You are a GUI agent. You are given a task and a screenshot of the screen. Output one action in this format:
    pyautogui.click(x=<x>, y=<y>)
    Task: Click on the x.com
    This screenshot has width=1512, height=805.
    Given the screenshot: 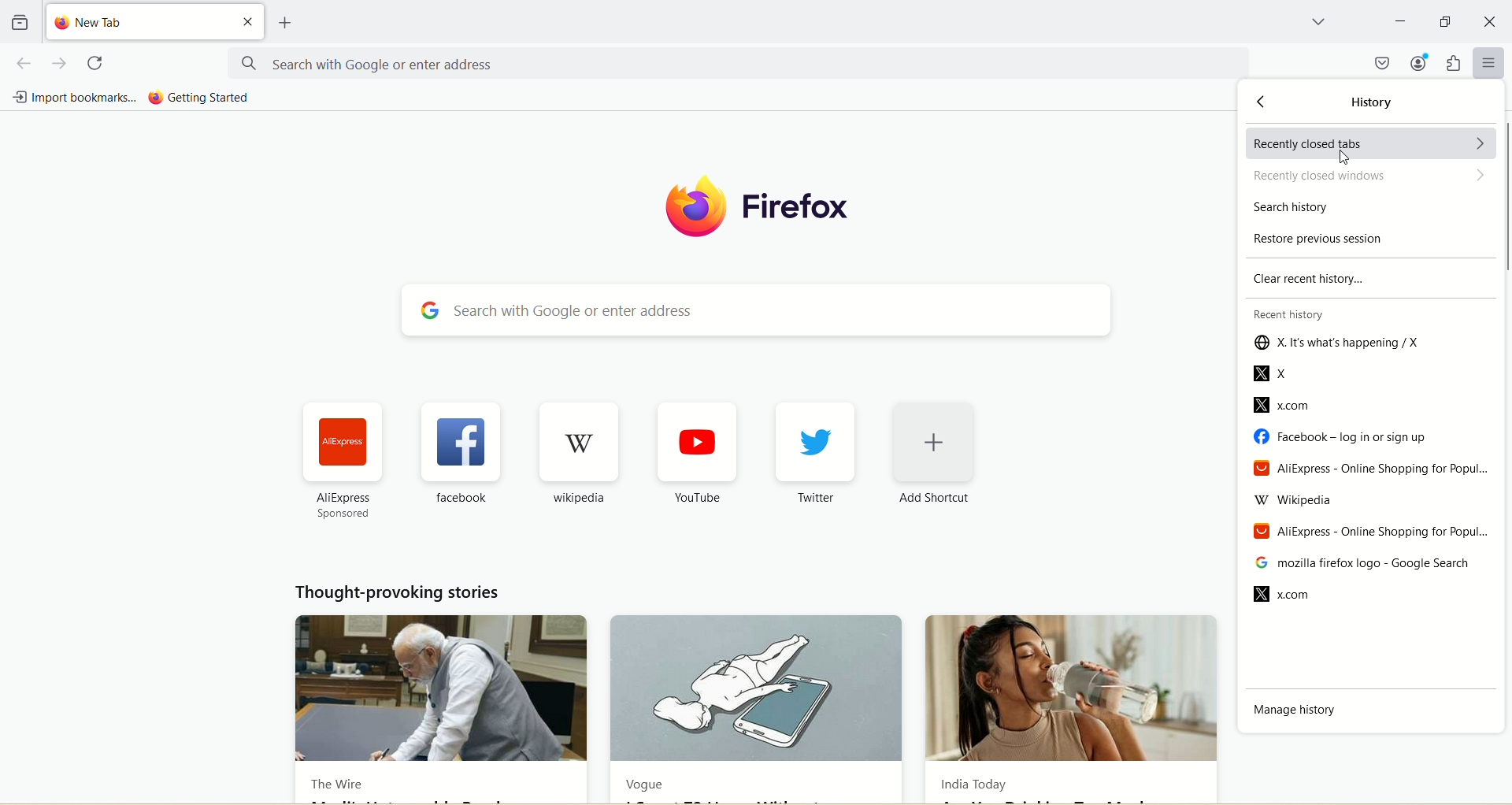 What is the action you would take?
    pyautogui.click(x=1371, y=595)
    